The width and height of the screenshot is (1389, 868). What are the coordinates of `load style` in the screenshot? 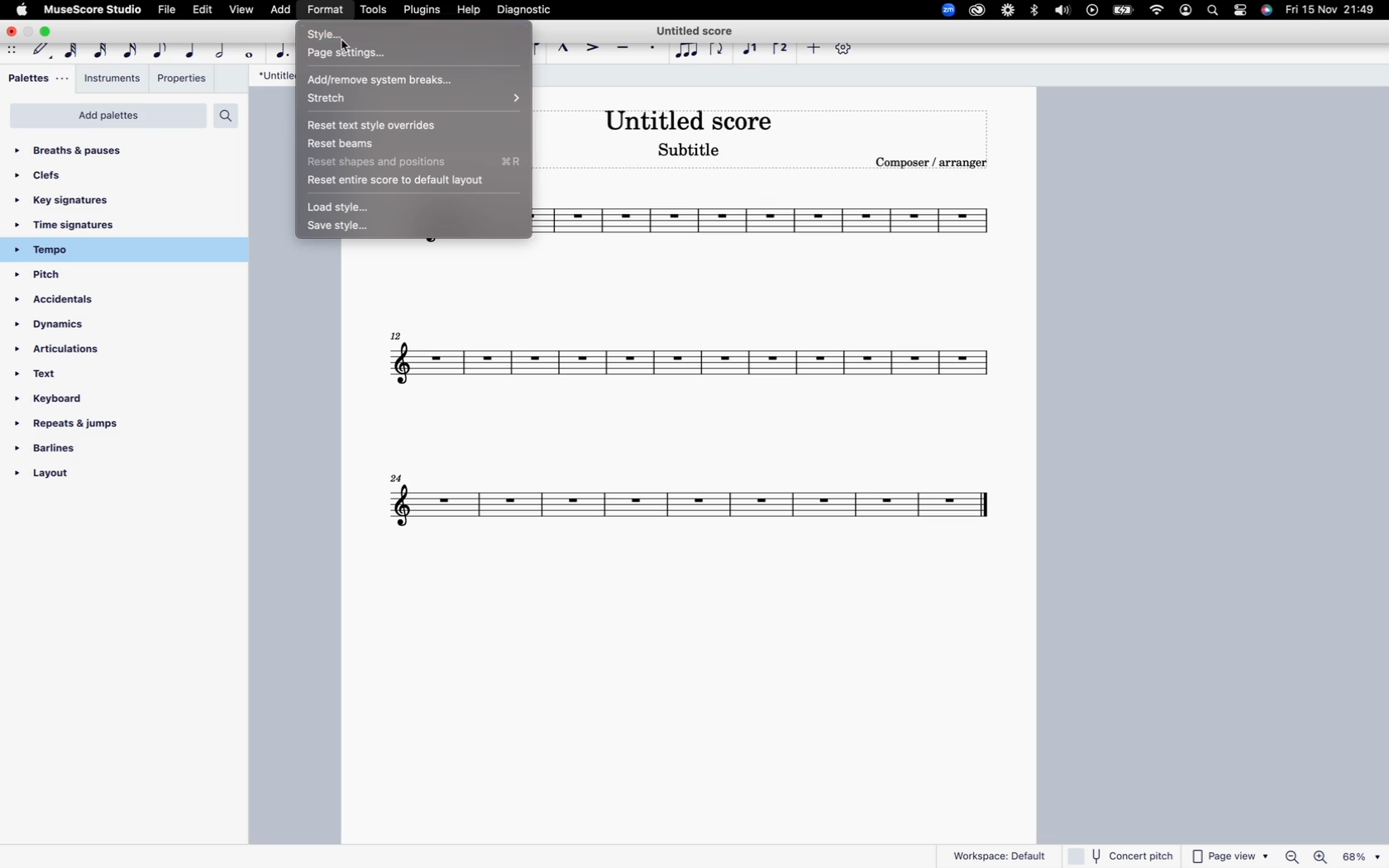 It's located at (346, 207).